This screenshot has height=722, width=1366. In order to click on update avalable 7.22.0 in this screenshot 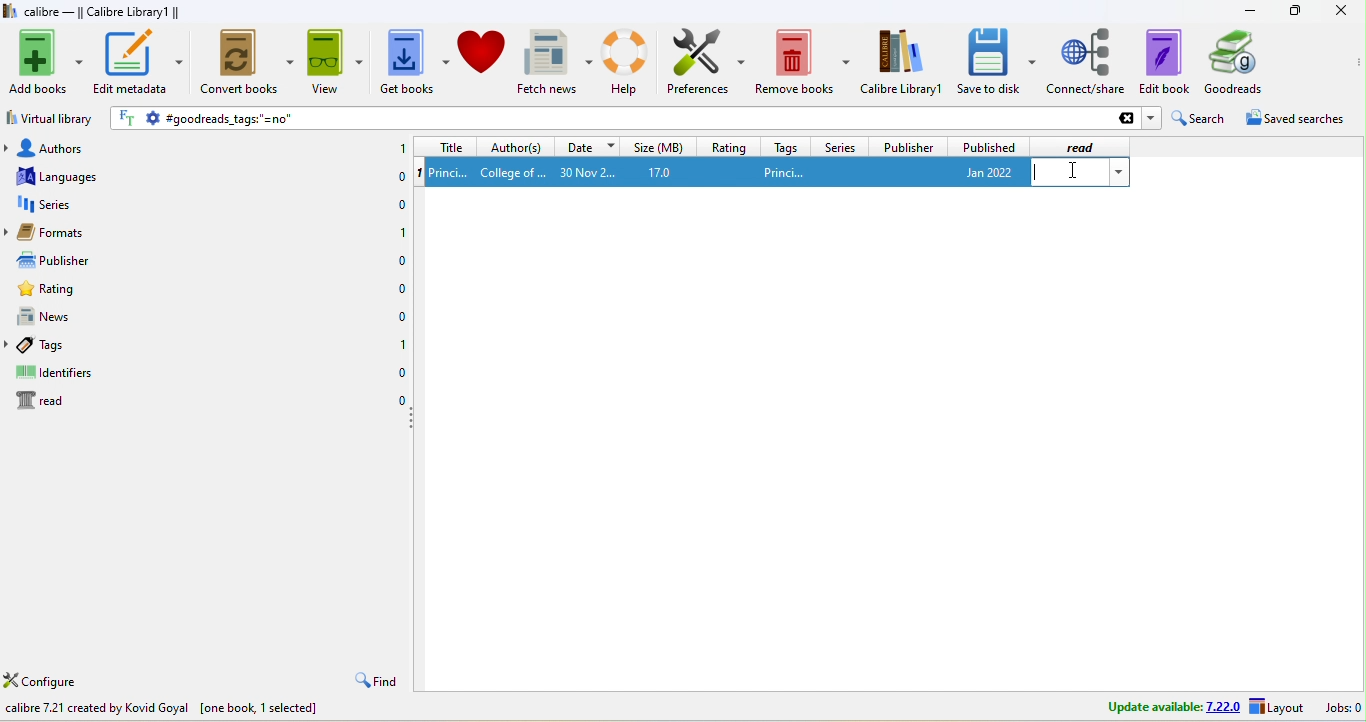, I will do `click(1168, 707)`.